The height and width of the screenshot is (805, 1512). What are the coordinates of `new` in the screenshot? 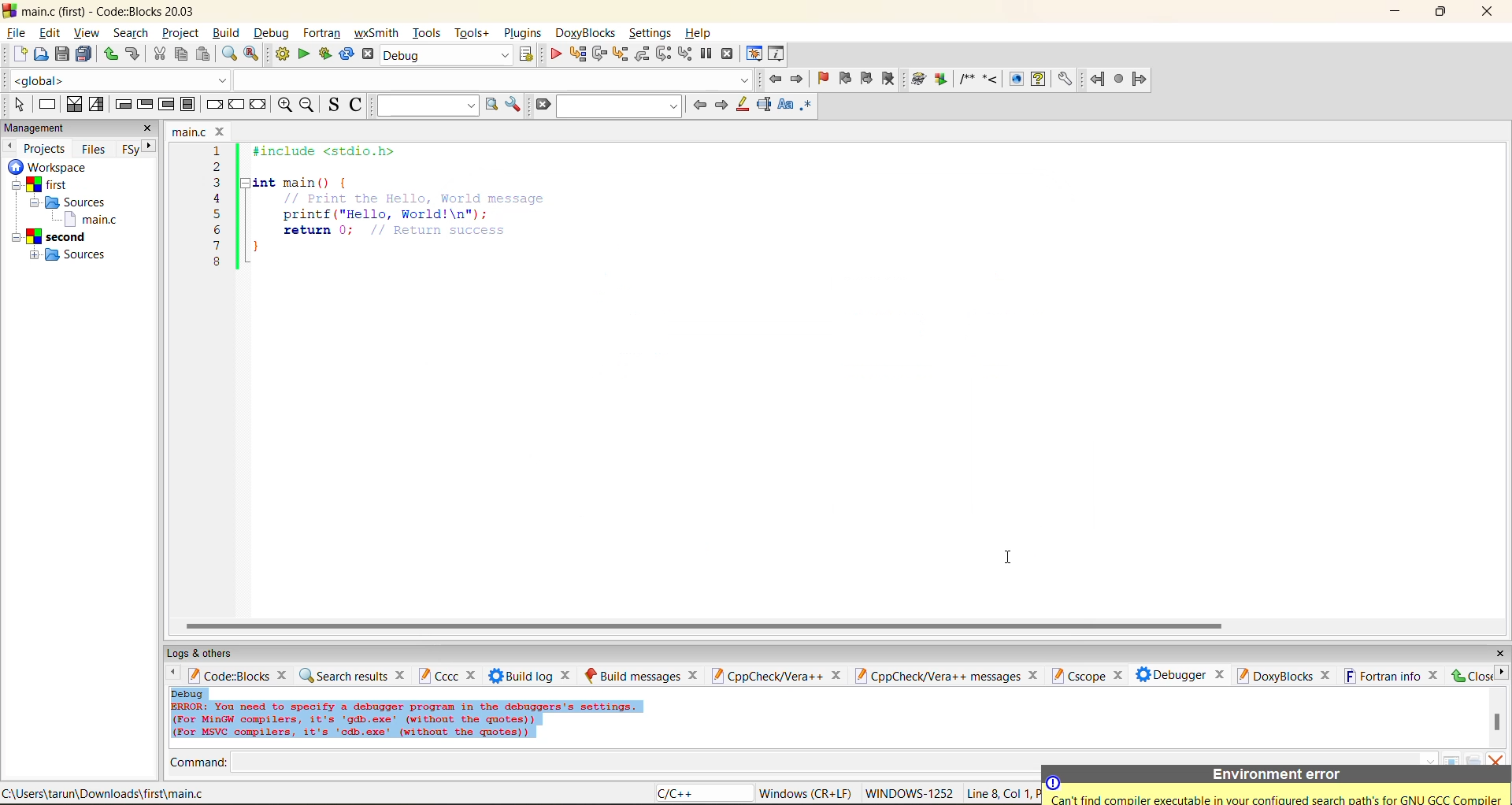 It's located at (20, 54).